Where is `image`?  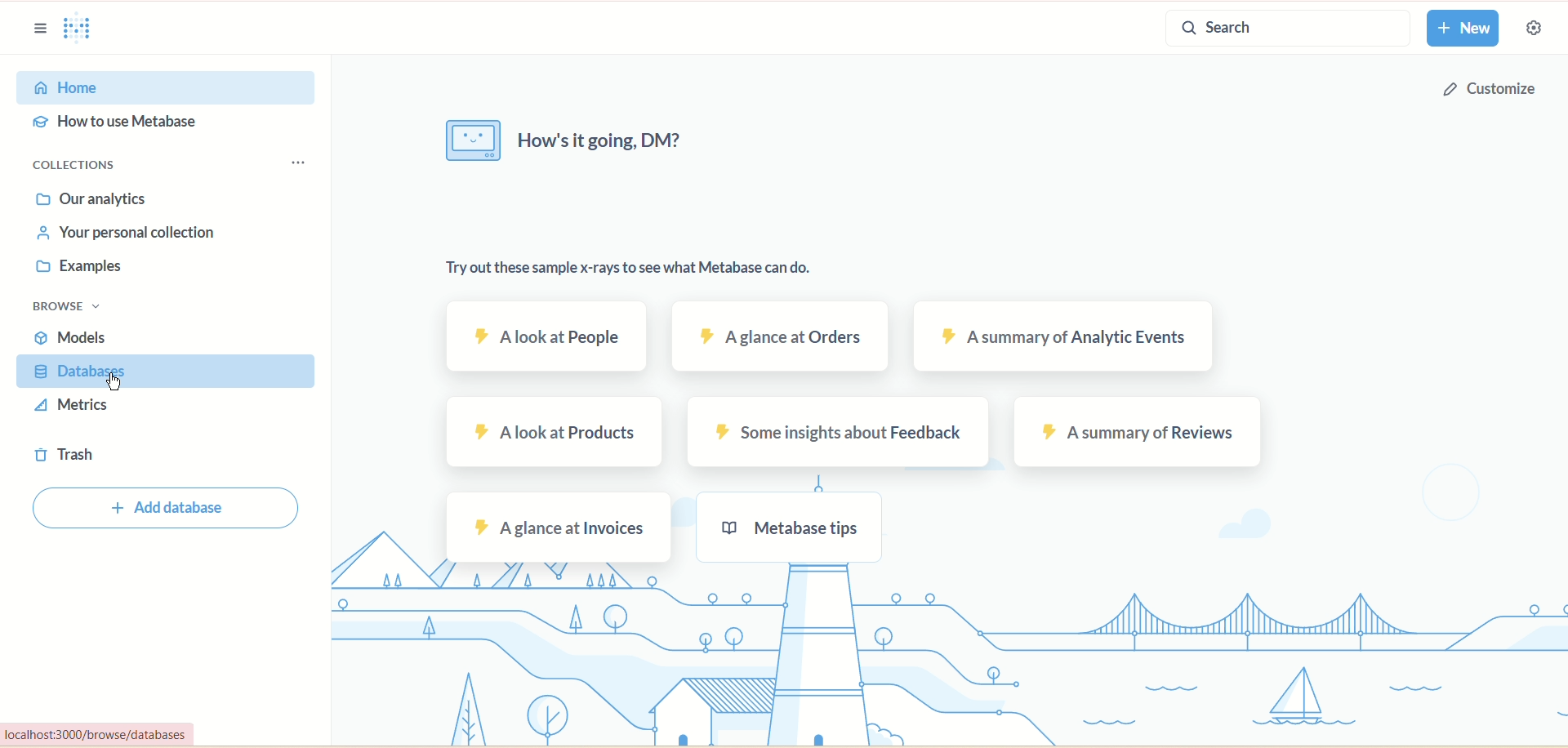 image is located at coordinates (466, 144).